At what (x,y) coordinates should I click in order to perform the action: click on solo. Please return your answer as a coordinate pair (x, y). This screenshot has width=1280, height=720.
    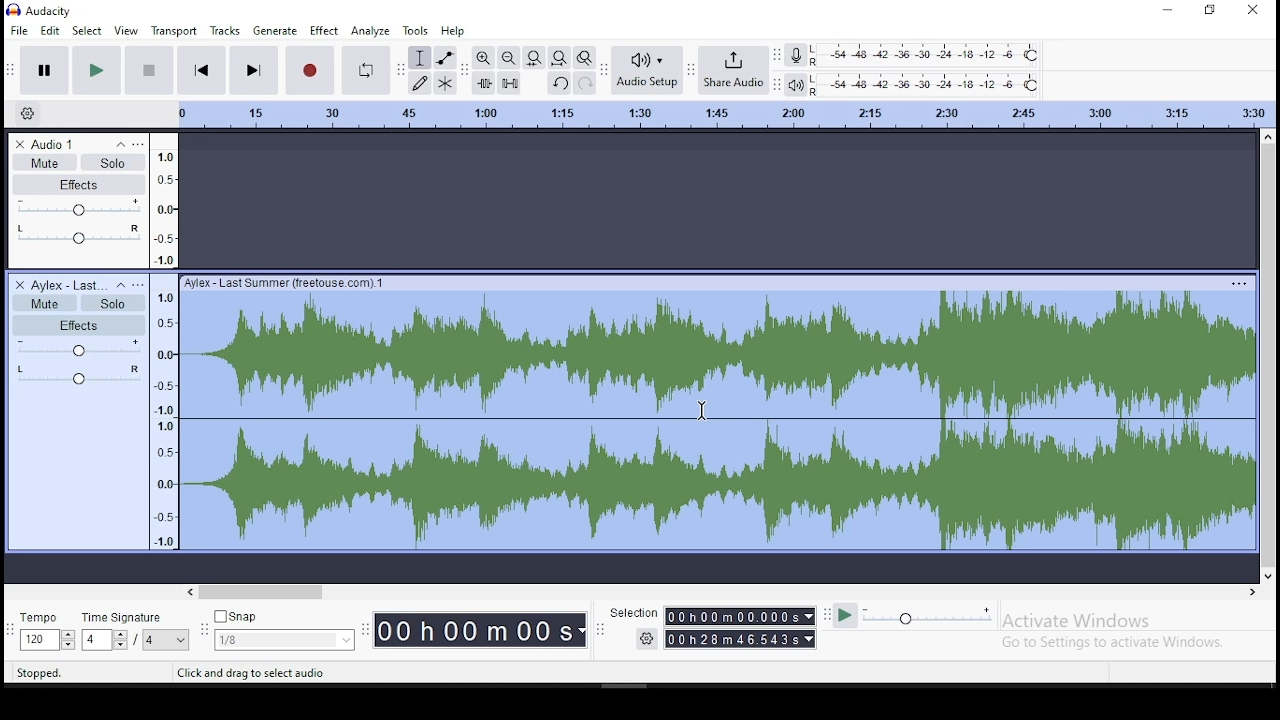
    Looking at the image, I should click on (116, 163).